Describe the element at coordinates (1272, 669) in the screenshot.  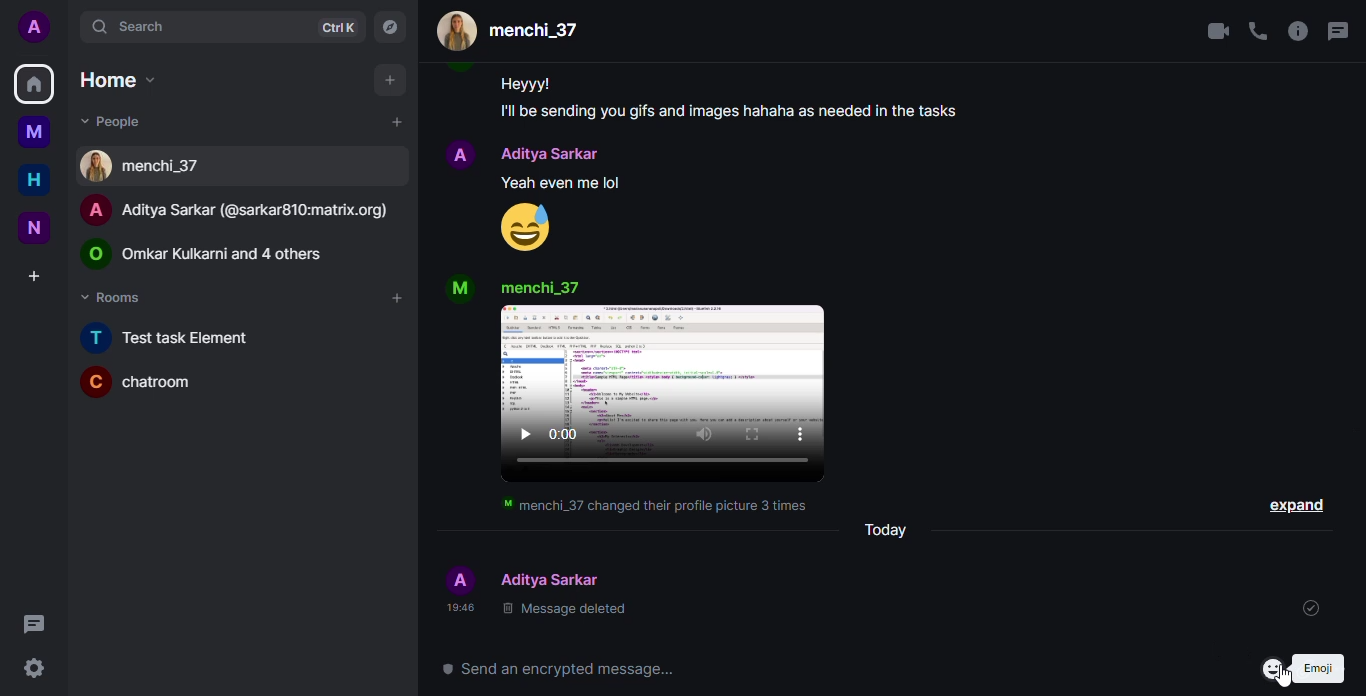
I see `emoji` at that location.